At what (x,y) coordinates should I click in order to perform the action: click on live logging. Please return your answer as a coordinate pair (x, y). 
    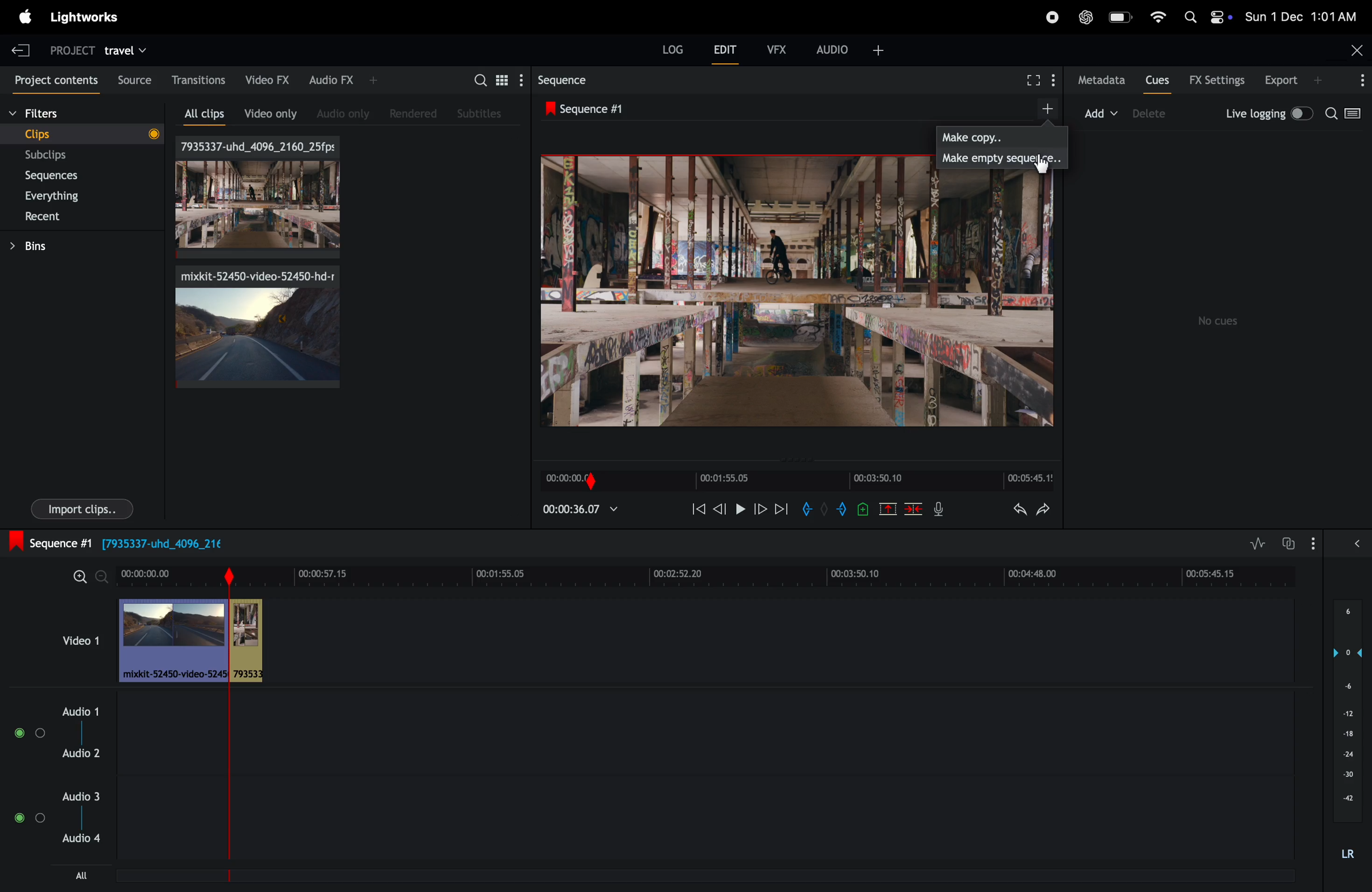
    Looking at the image, I should click on (1269, 114).